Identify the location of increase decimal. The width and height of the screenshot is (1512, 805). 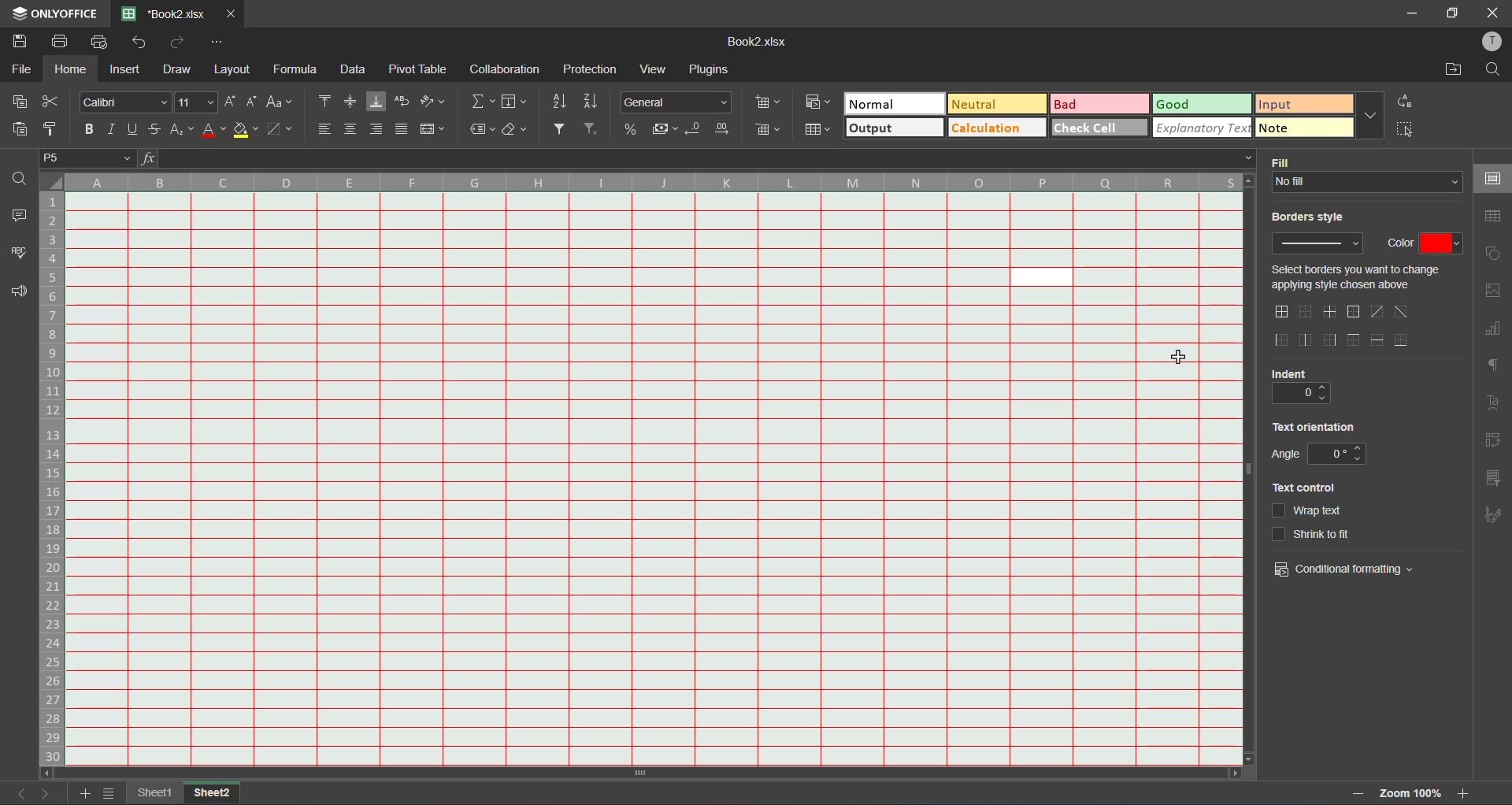
(724, 128).